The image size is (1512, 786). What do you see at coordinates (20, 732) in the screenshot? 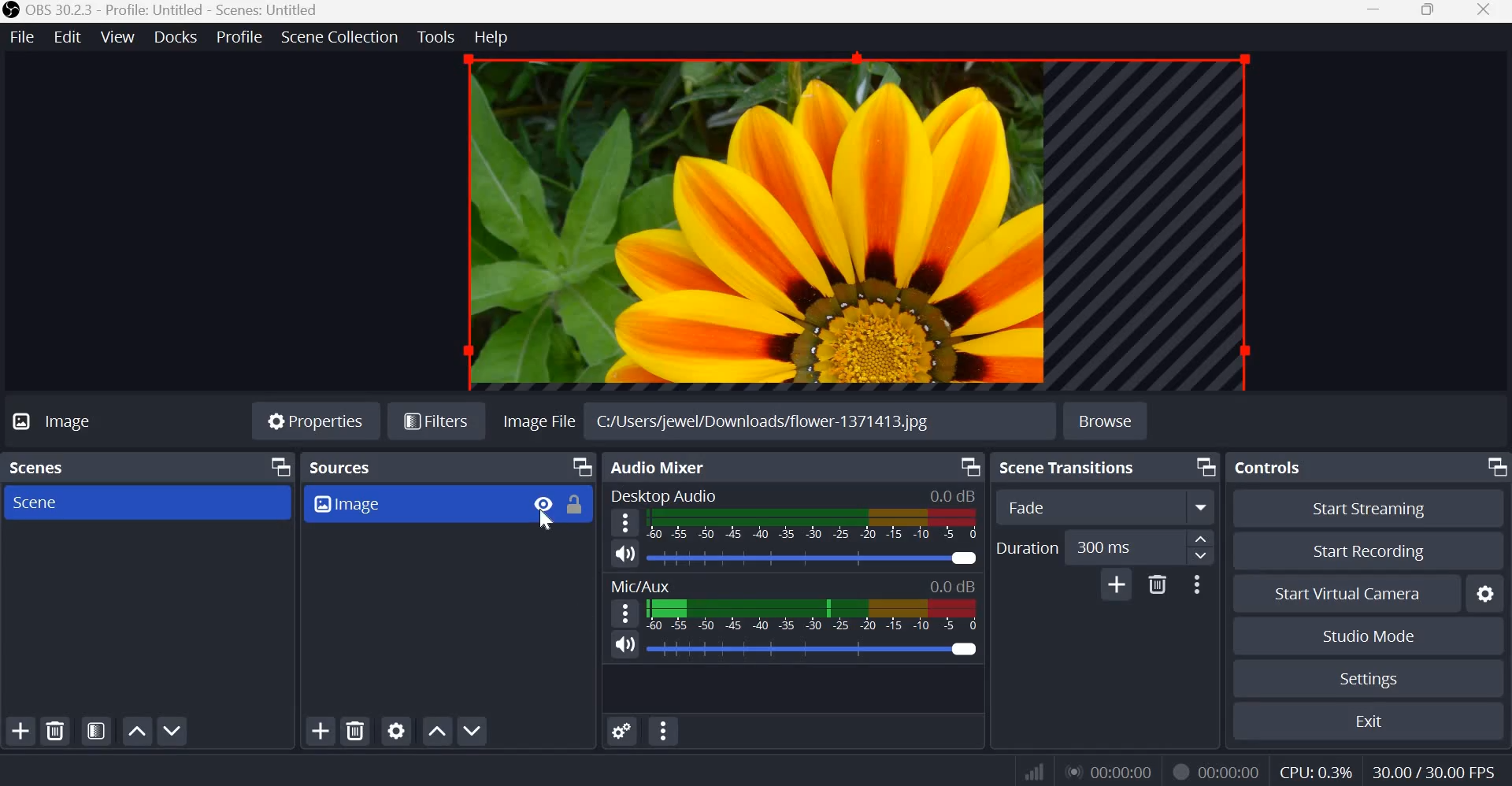
I see `Add scene` at bounding box center [20, 732].